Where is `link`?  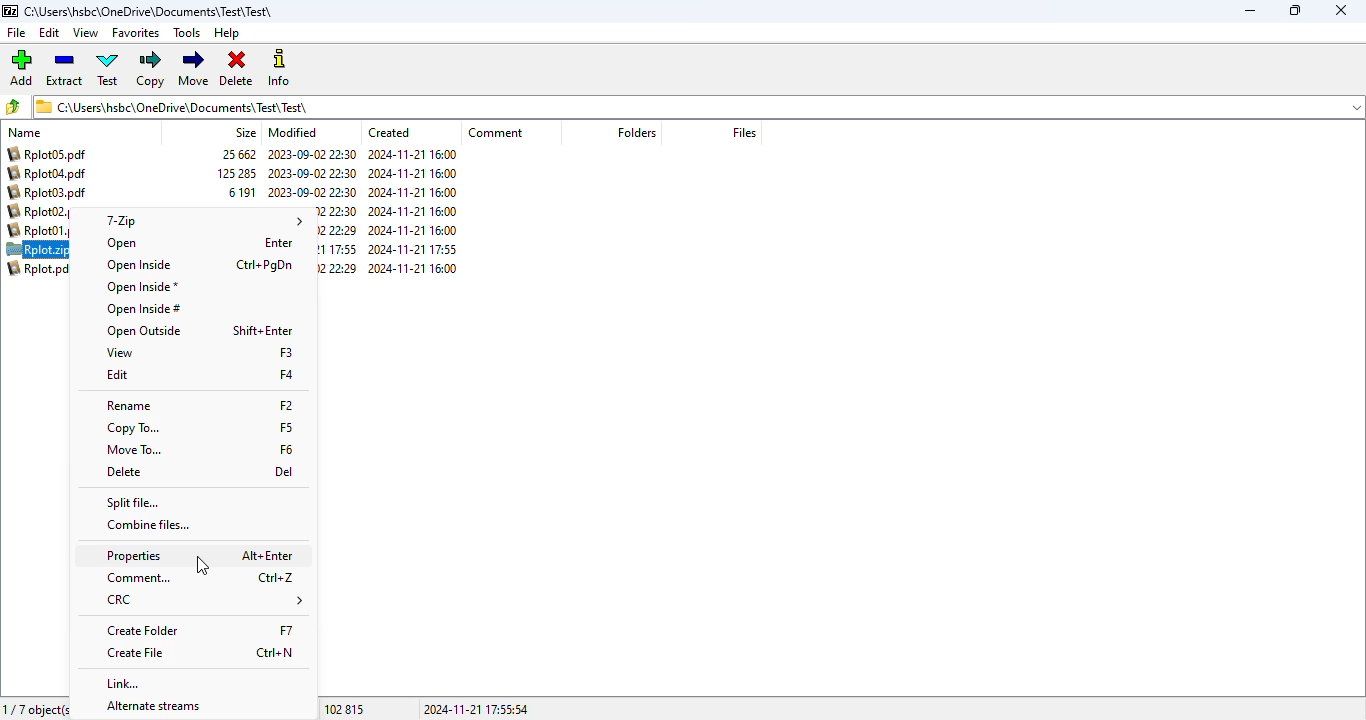 link is located at coordinates (125, 683).